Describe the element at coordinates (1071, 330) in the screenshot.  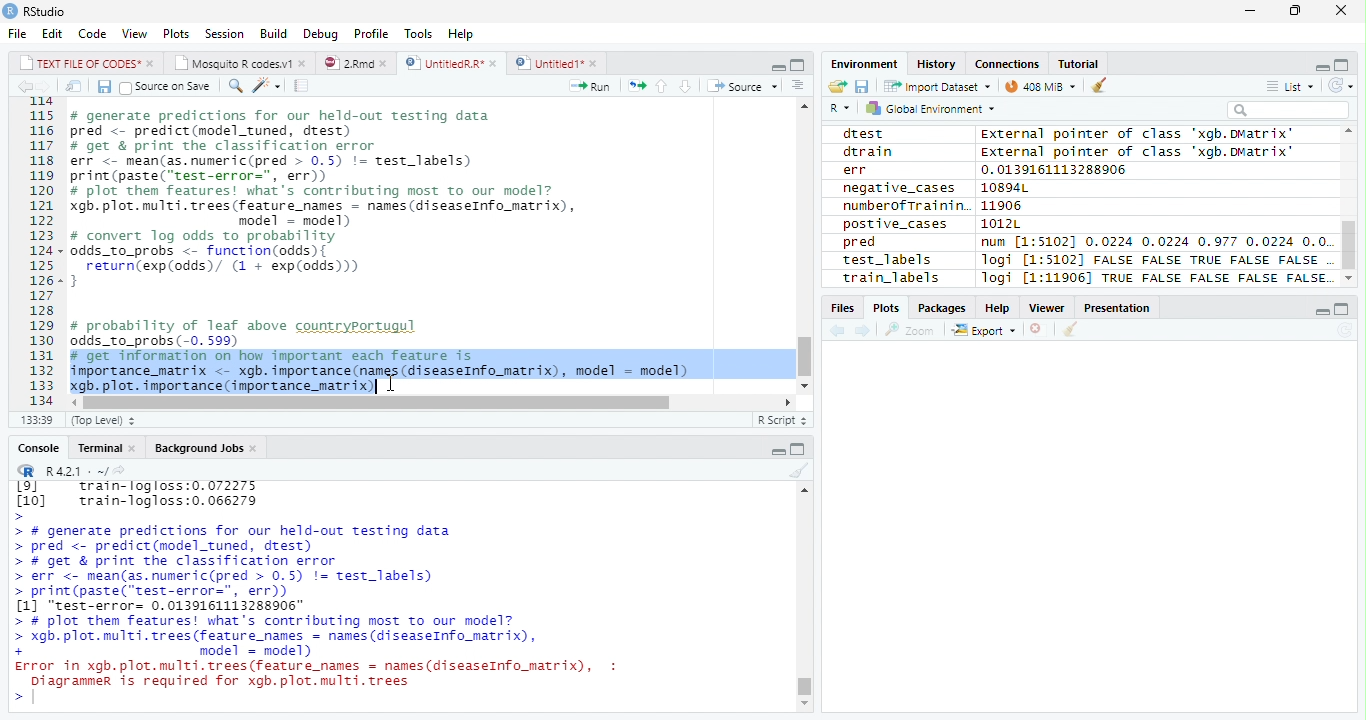
I see `Clean` at that location.